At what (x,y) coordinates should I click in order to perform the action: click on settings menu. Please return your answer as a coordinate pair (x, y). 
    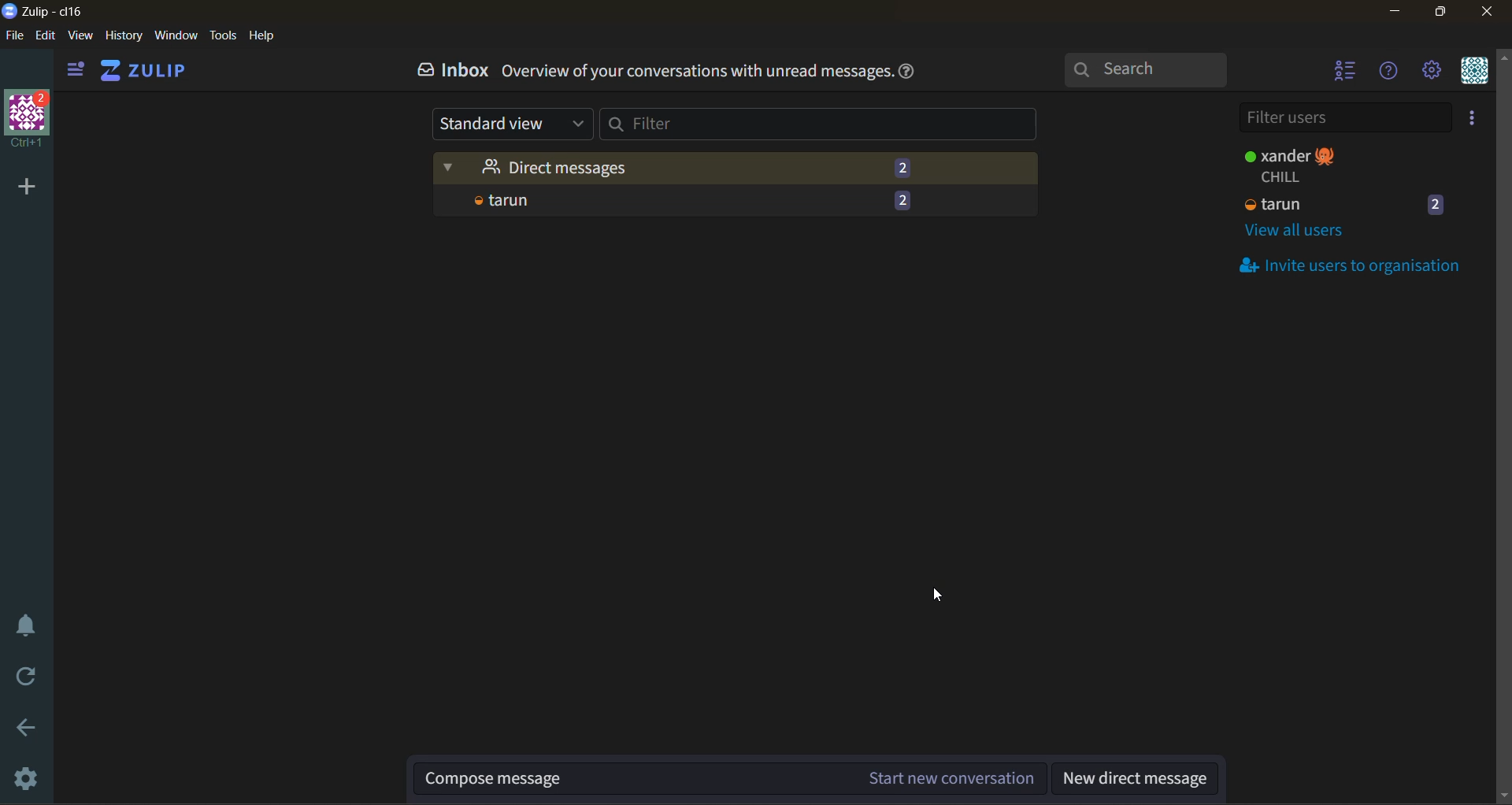
    Looking at the image, I should click on (1435, 72).